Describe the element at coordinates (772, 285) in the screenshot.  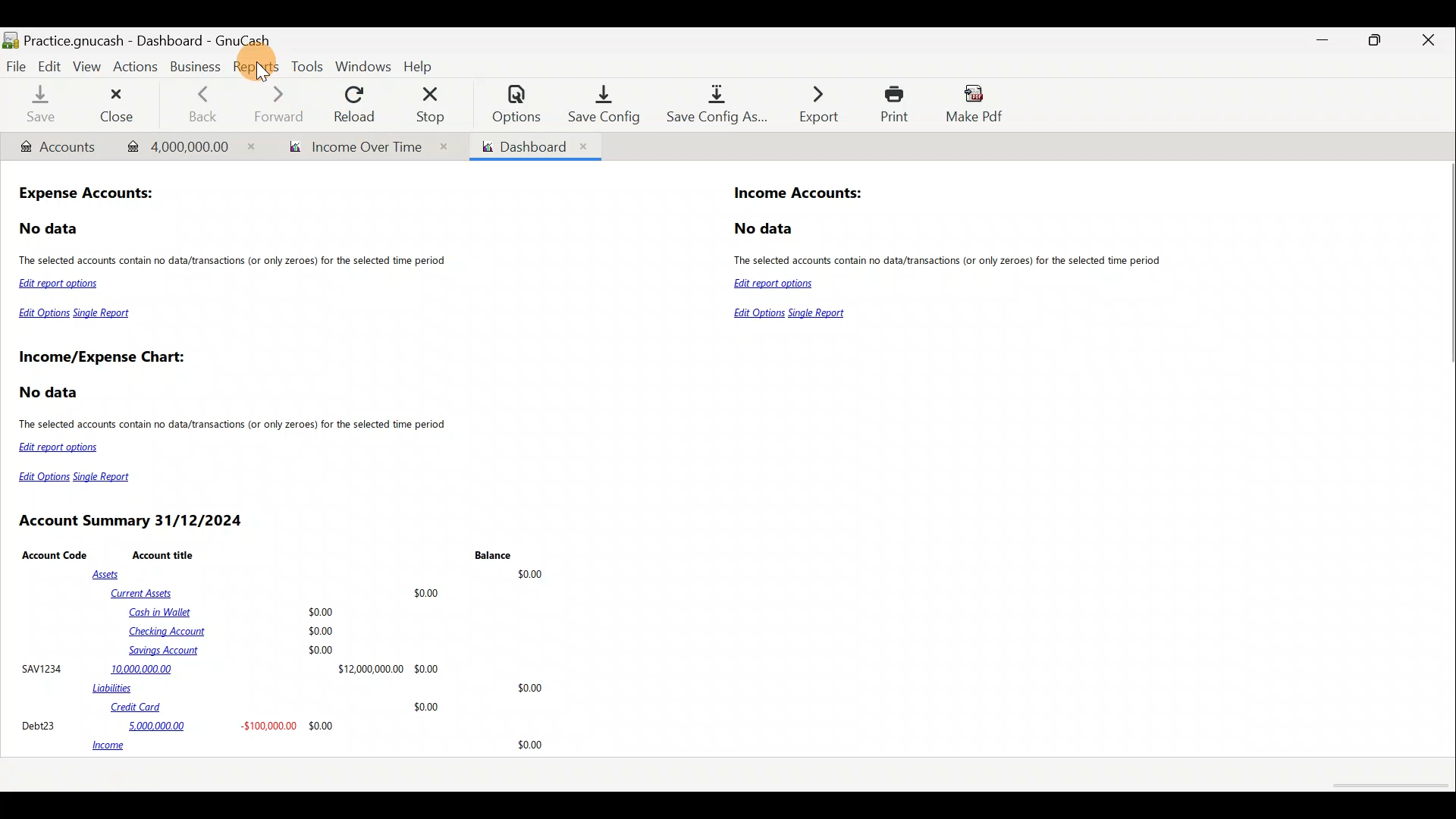
I see `Edit report options` at that location.